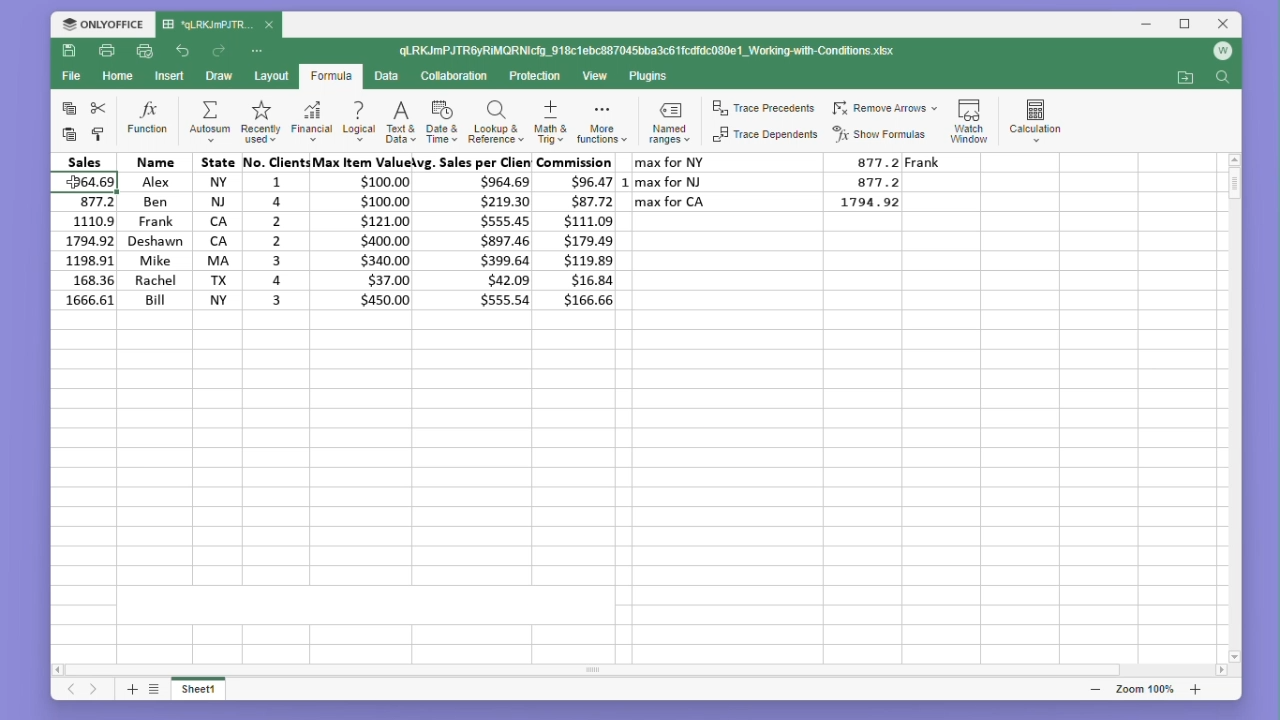 Image resolution: width=1280 pixels, height=720 pixels. Describe the element at coordinates (64, 693) in the screenshot. I see `Previous sheet` at that location.